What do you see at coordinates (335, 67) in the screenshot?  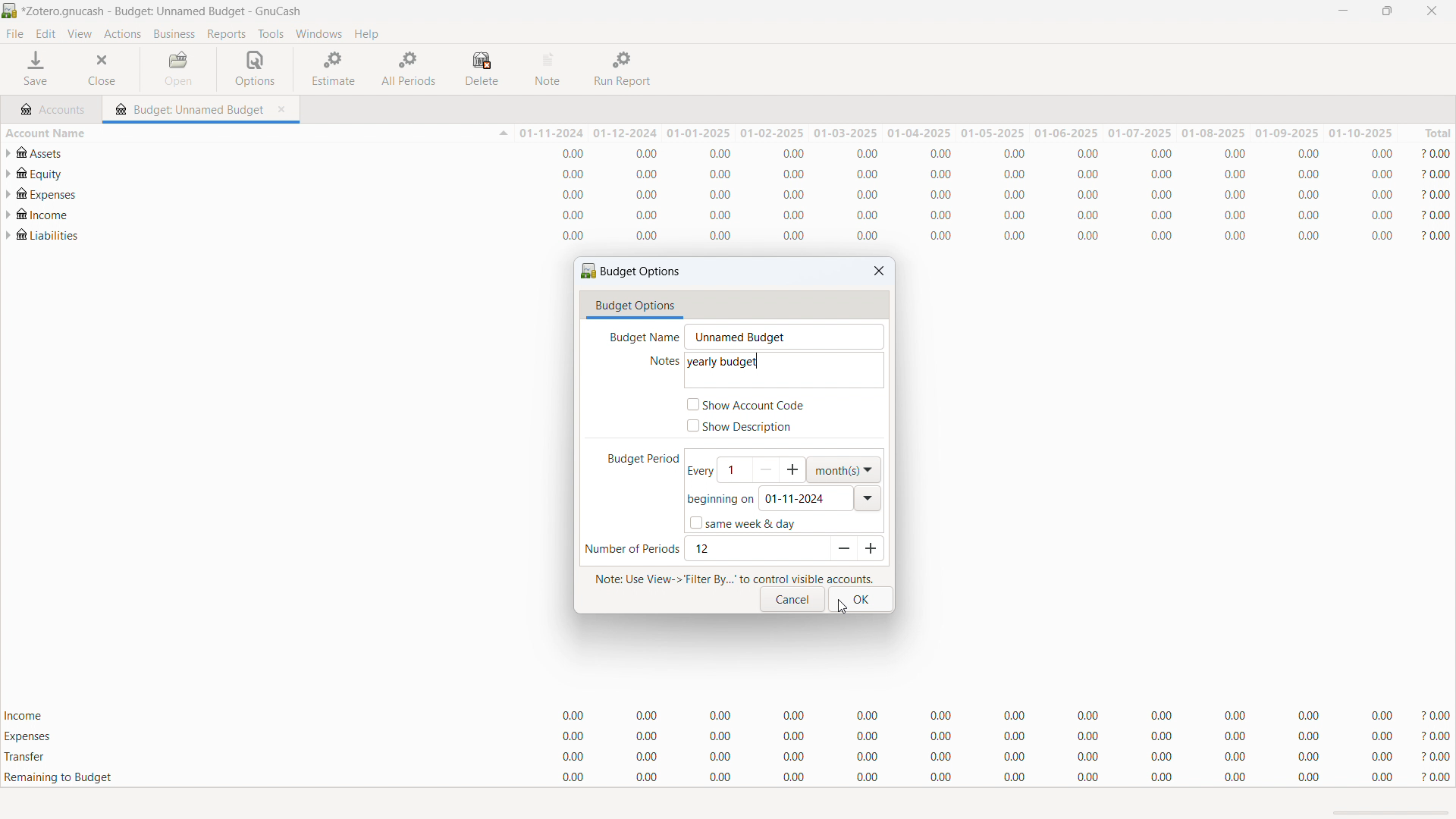 I see `estimate` at bounding box center [335, 67].